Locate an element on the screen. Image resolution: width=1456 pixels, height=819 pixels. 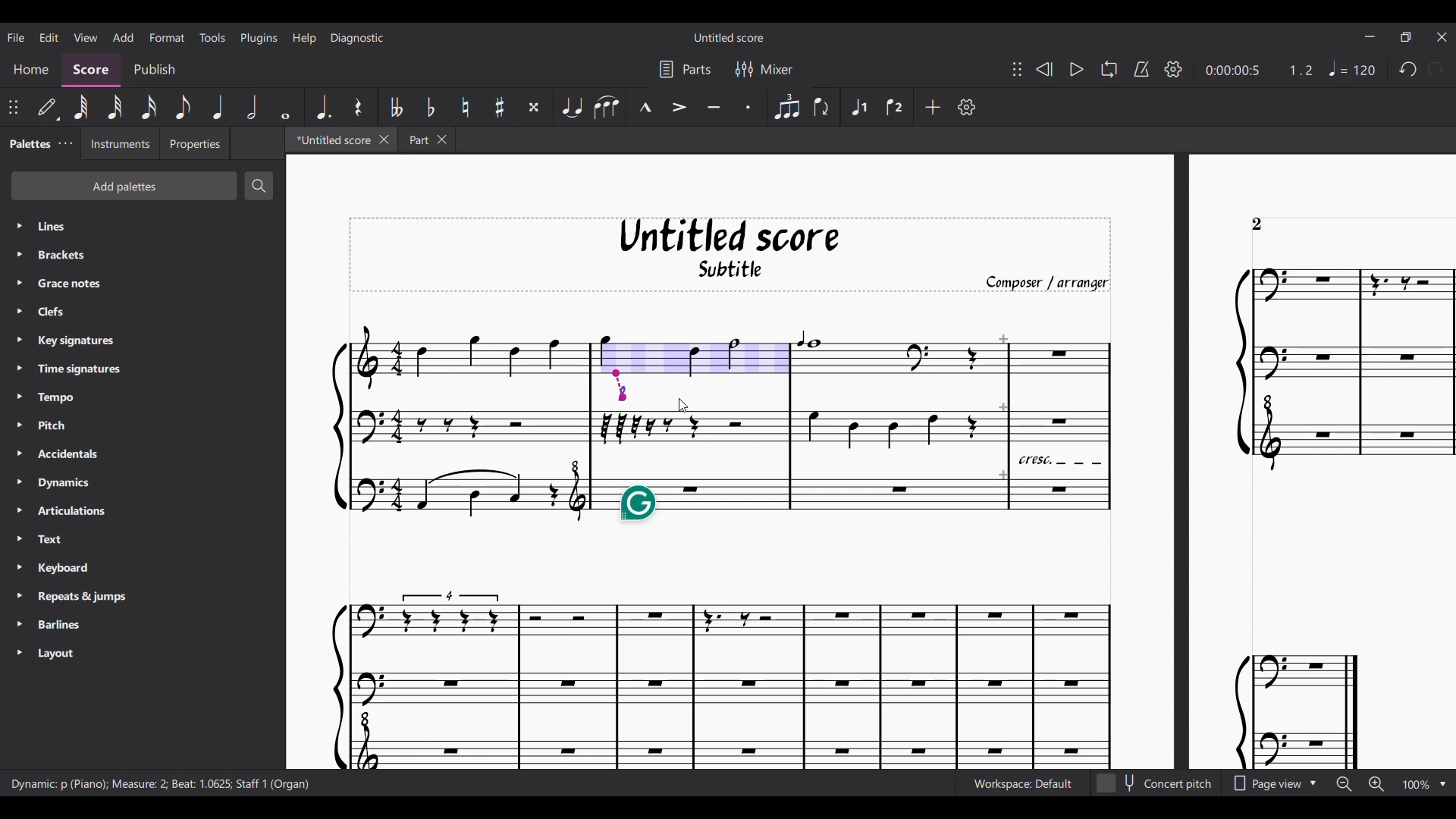
Zoom options is located at coordinates (1442, 784).